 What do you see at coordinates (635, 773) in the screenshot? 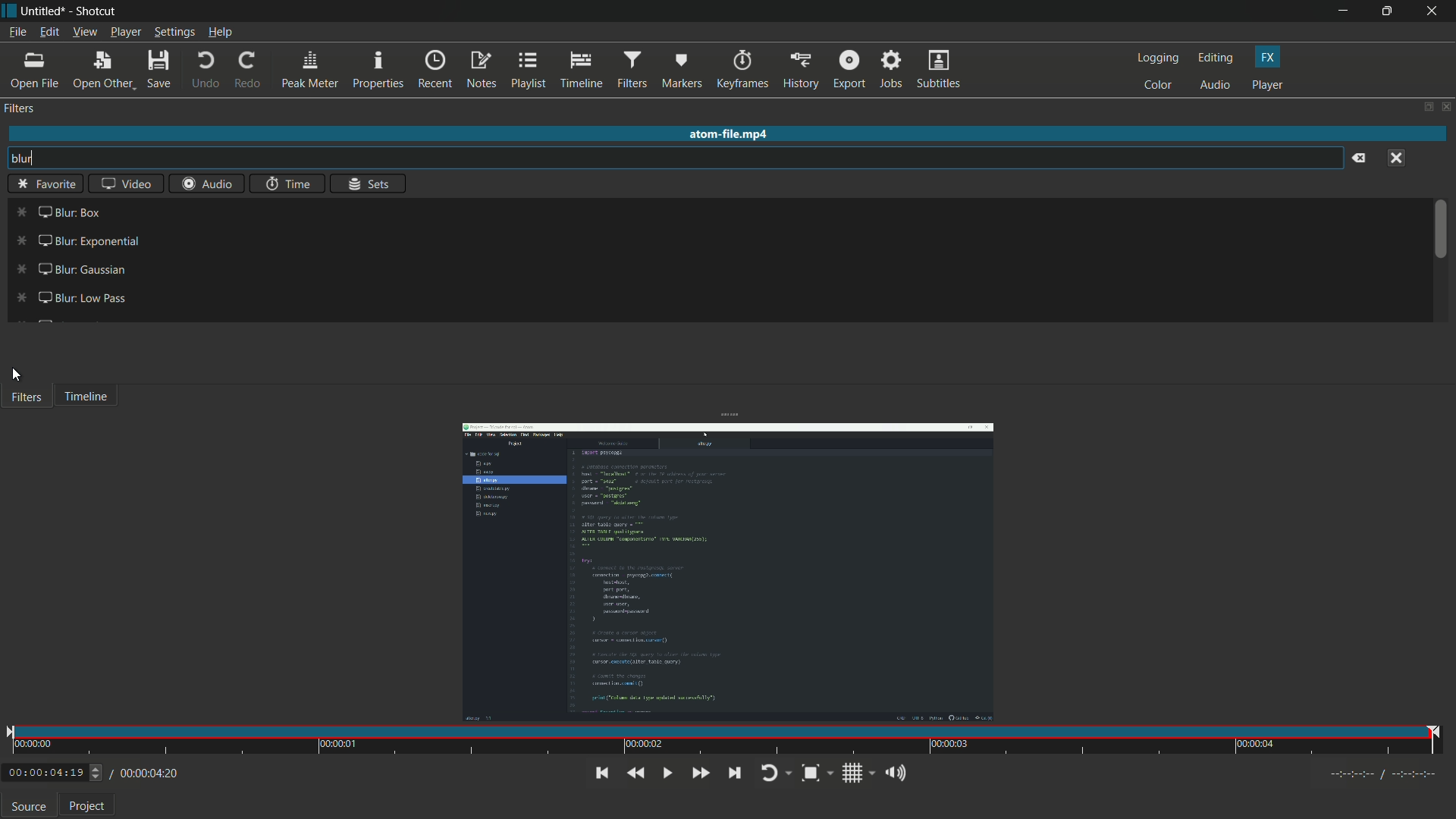
I see `quickly play backward` at bounding box center [635, 773].